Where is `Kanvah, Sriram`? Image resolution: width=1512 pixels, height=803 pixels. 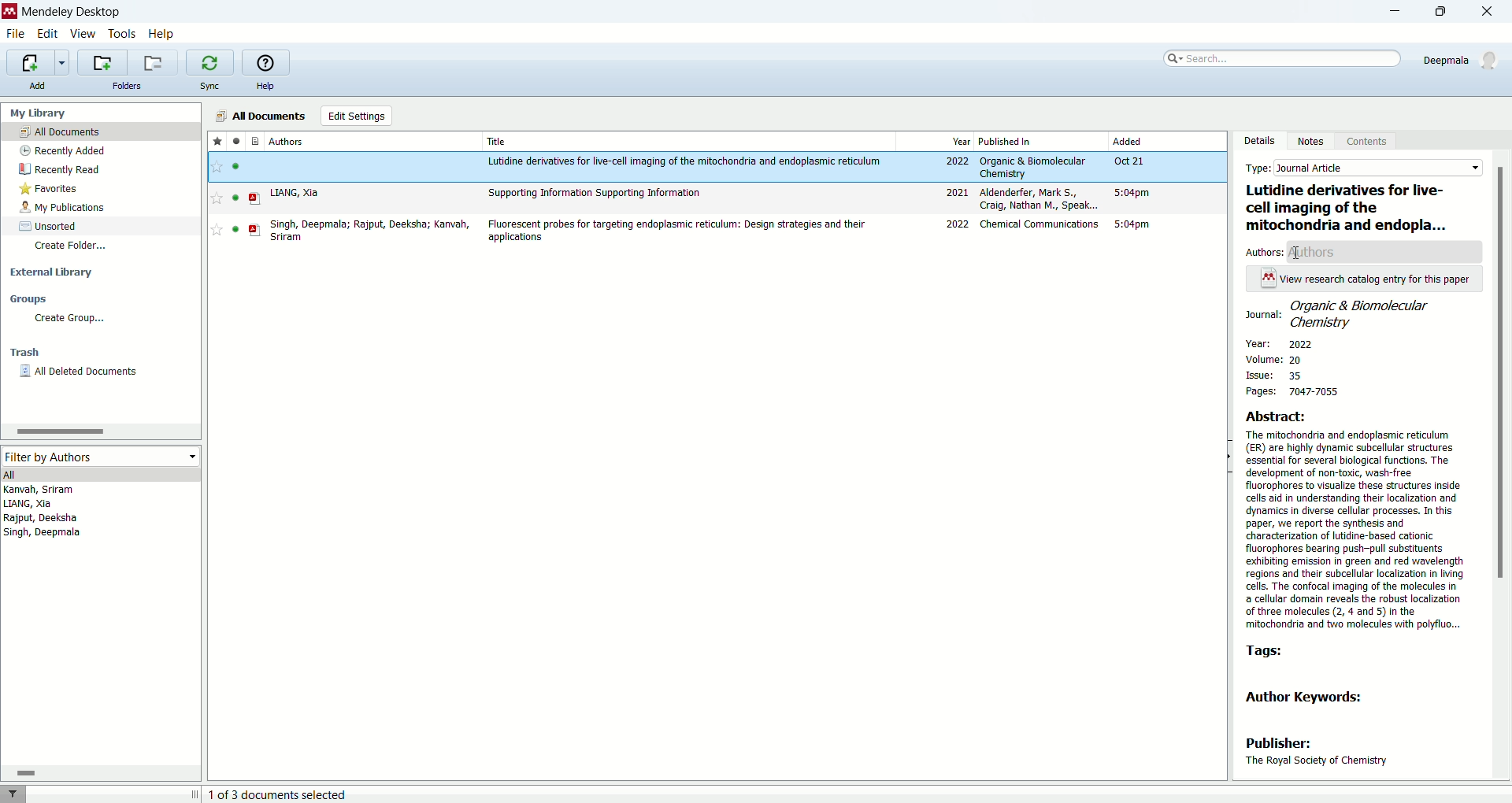 Kanvah, Sriram is located at coordinates (60, 490).